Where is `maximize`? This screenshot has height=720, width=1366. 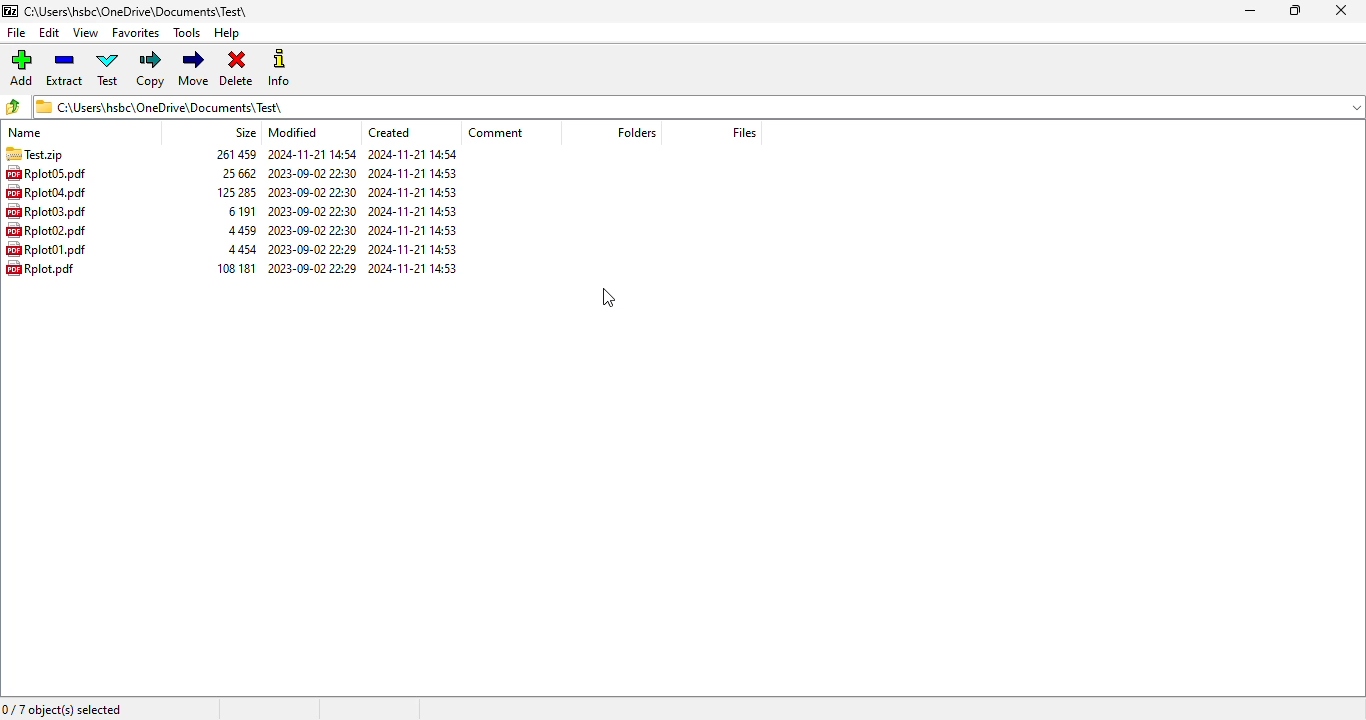 maximize is located at coordinates (1293, 10).